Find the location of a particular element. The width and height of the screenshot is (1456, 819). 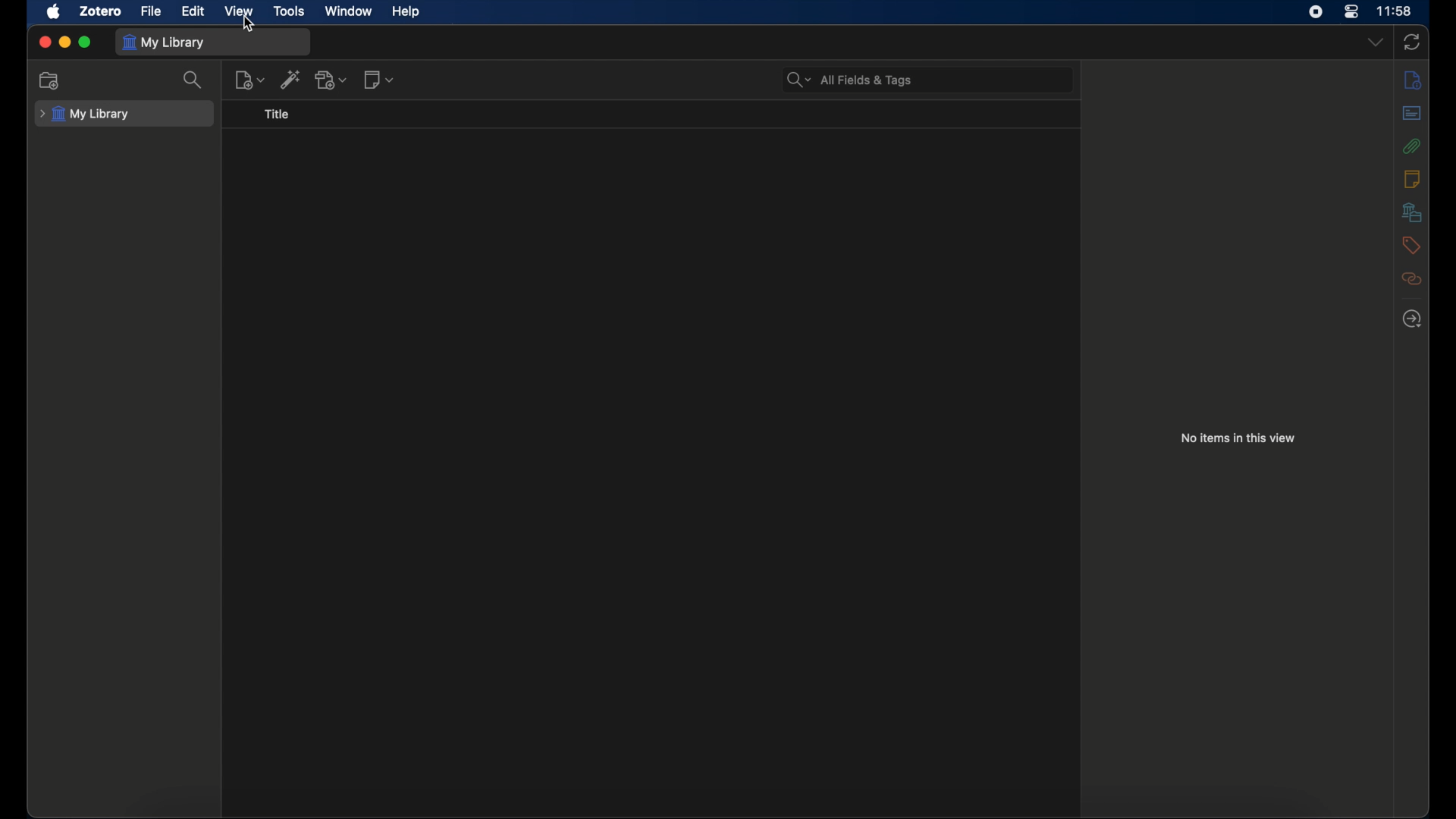

help is located at coordinates (406, 12).